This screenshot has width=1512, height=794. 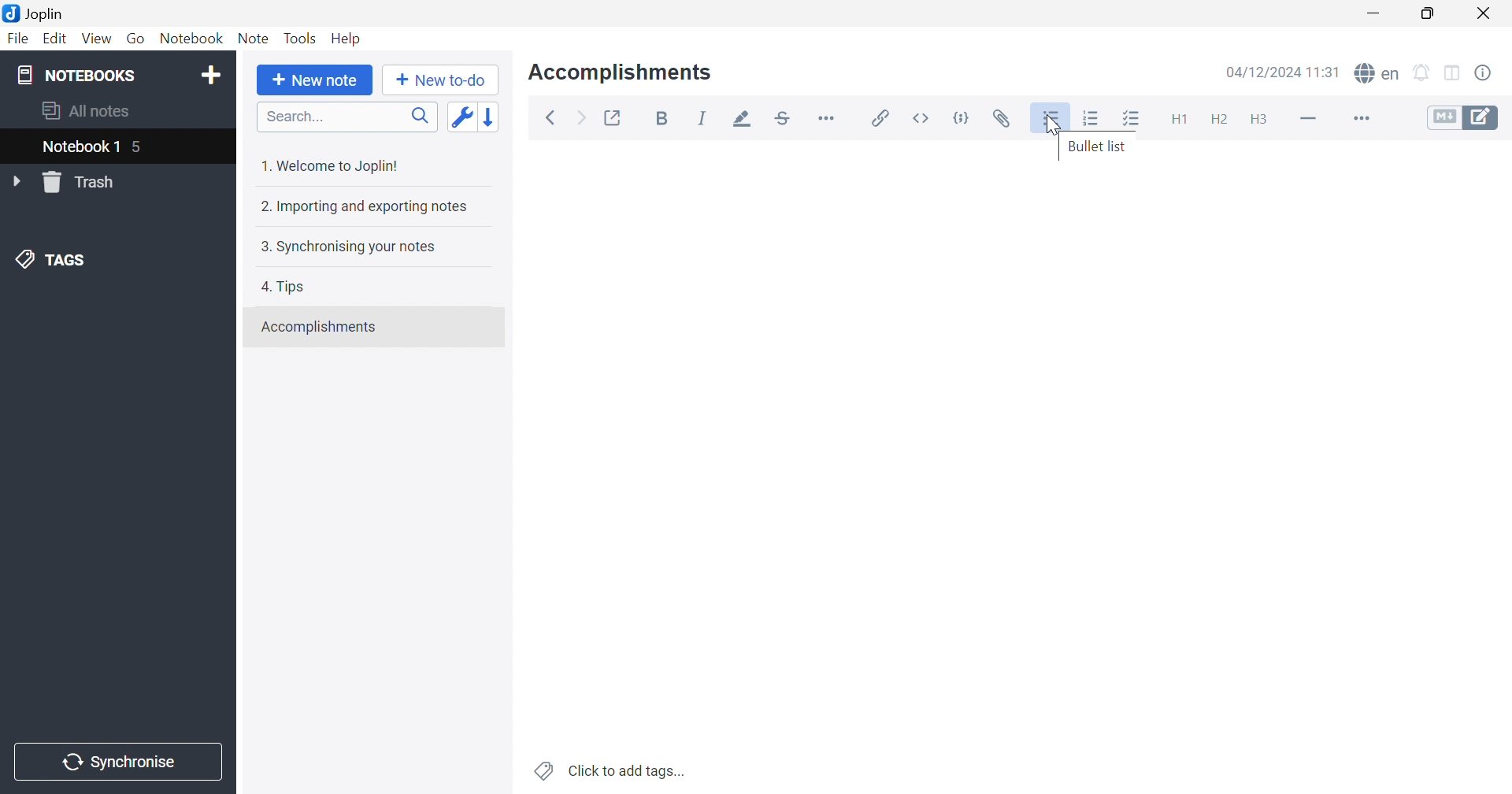 I want to click on Accomplishments, so click(x=621, y=72).